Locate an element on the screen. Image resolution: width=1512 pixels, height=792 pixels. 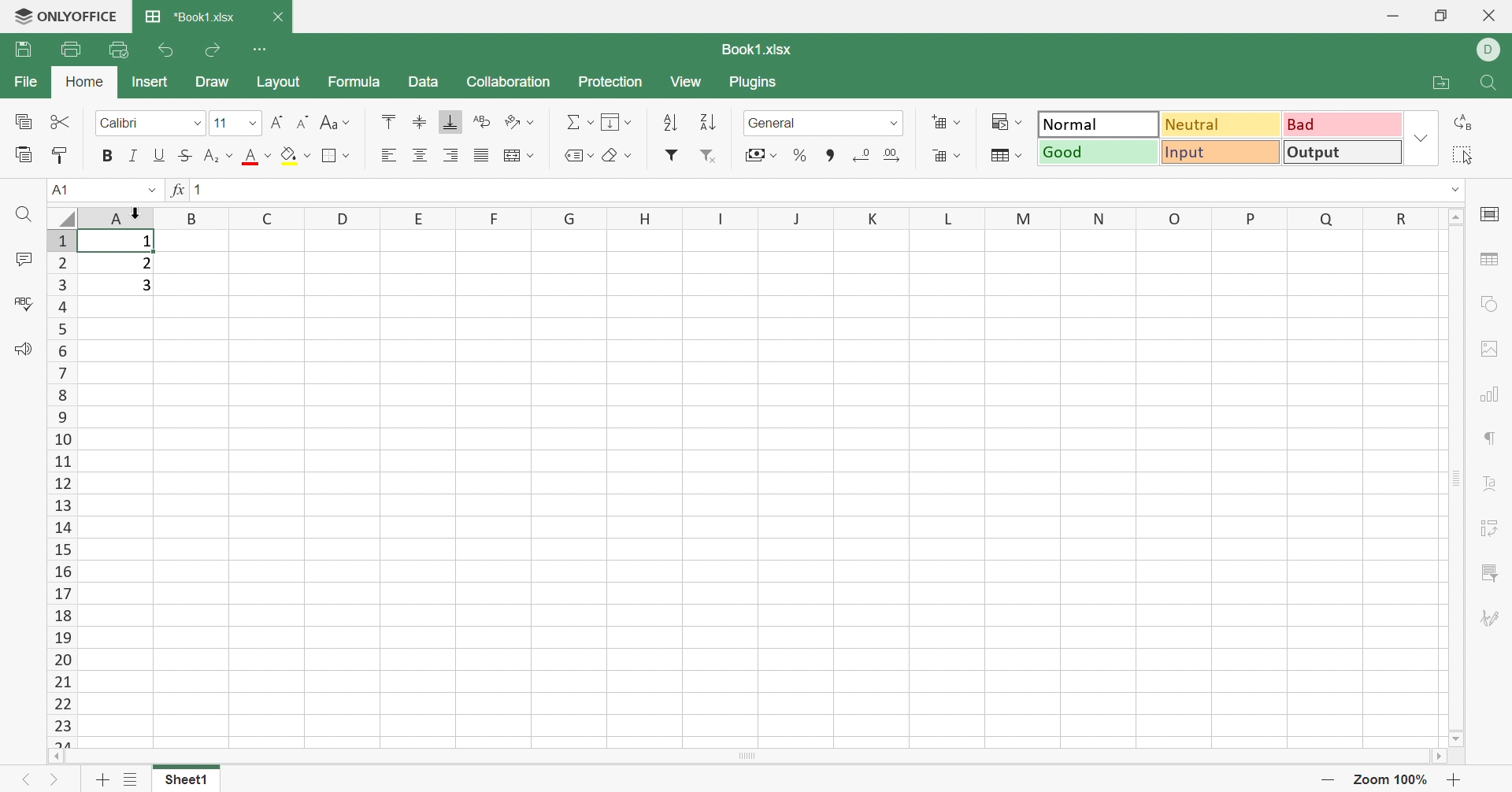
Shape settings is located at coordinates (1489, 305).